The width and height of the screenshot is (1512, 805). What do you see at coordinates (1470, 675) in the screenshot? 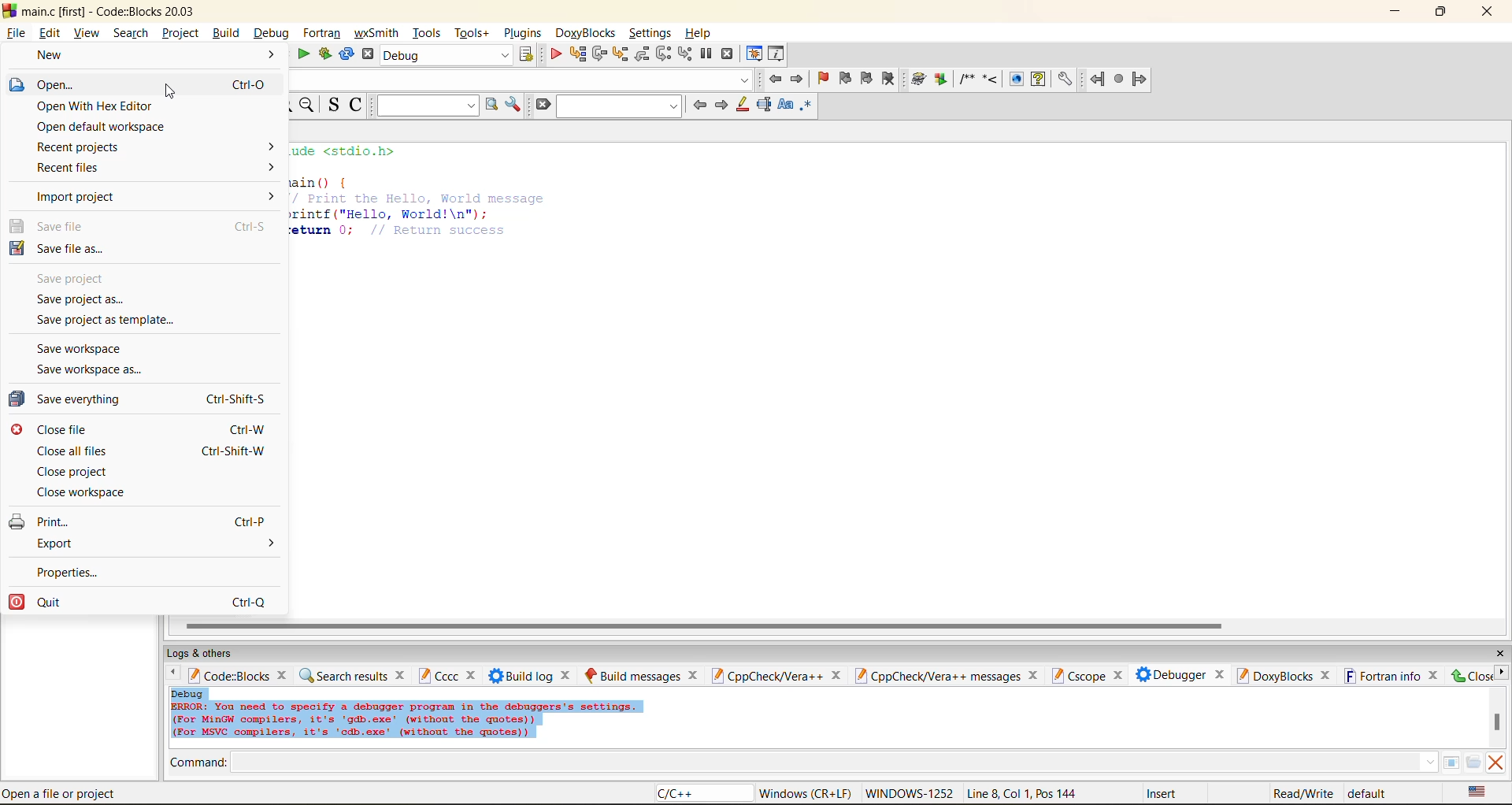
I see `close` at bounding box center [1470, 675].